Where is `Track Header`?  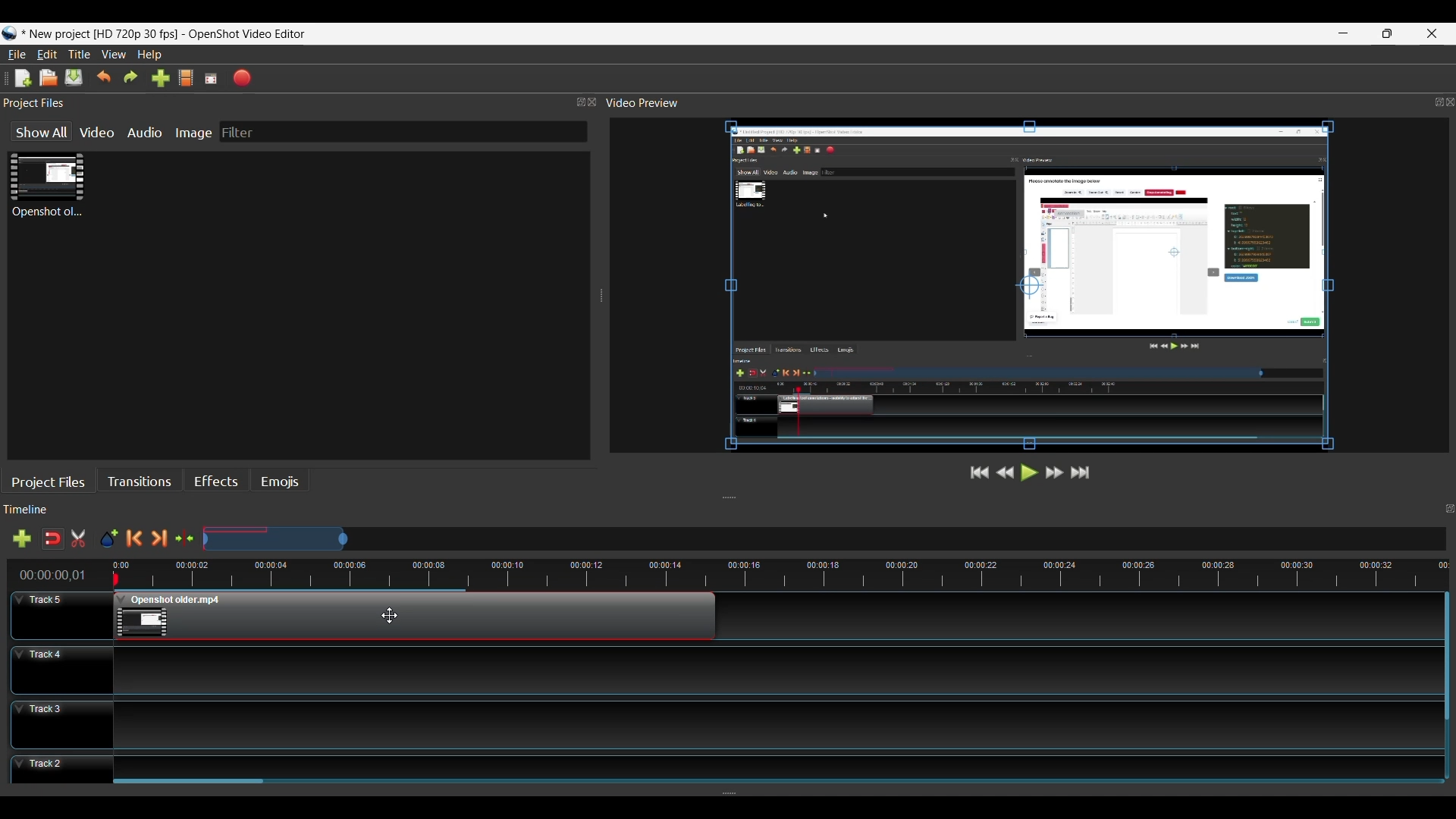 Track Header is located at coordinates (58, 670).